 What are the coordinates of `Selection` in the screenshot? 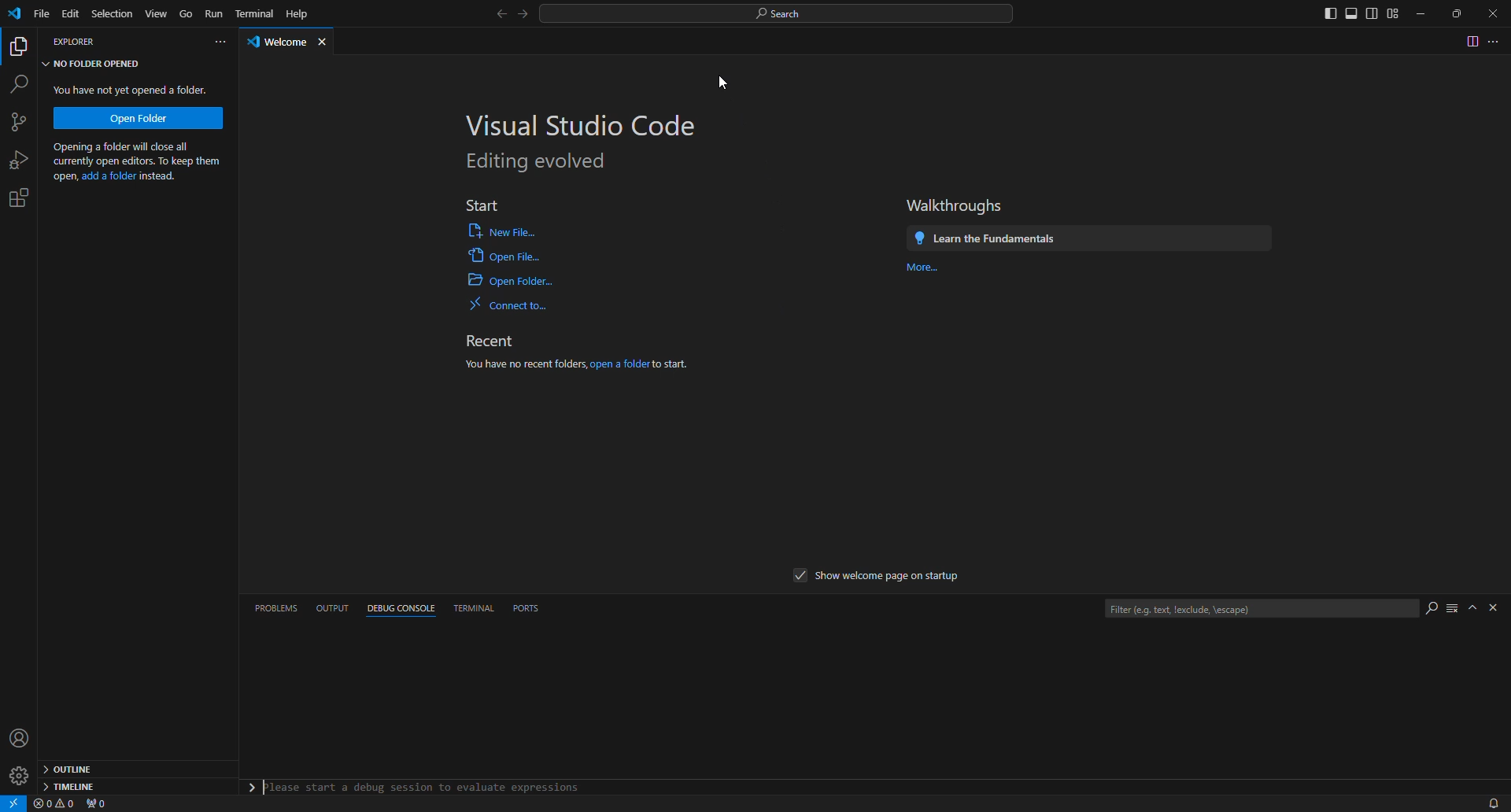 It's located at (111, 13).